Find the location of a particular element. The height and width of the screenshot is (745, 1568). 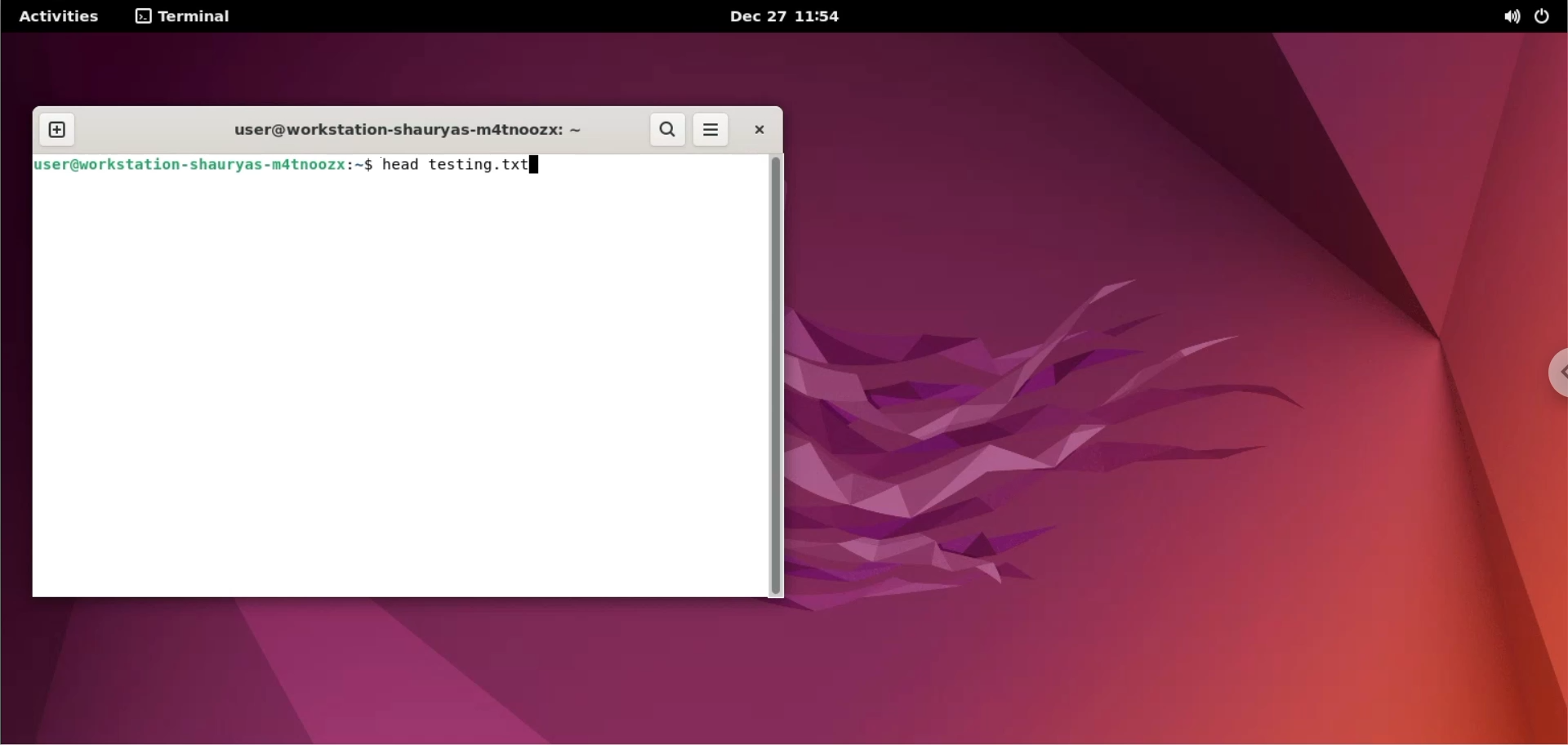

shell prompt: user@workstation-shauryas-m4tnoozx:~$  is located at coordinates (204, 165).